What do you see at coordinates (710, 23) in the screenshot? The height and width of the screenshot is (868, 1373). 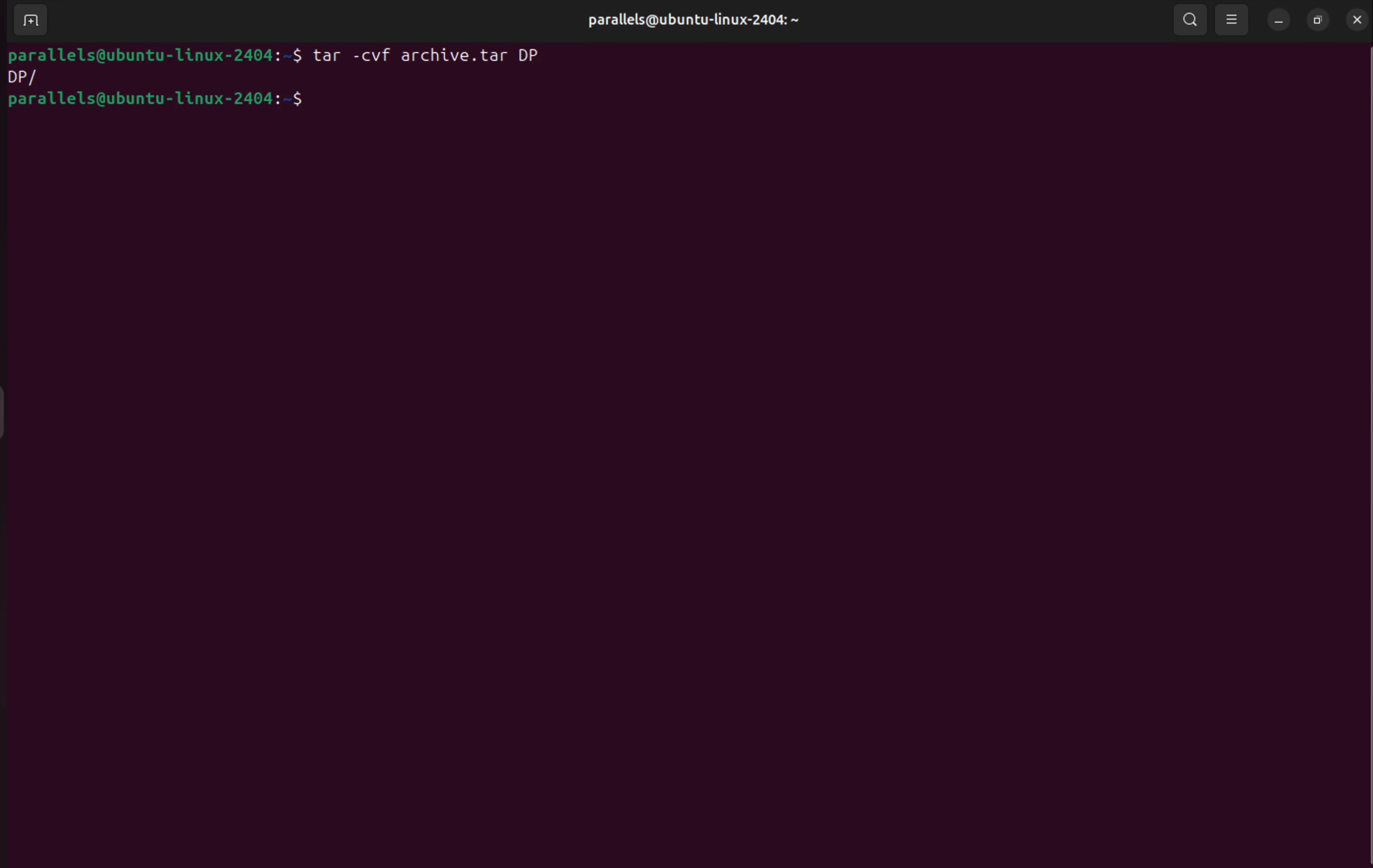 I see `parallels profile` at bounding box center [710, 23].